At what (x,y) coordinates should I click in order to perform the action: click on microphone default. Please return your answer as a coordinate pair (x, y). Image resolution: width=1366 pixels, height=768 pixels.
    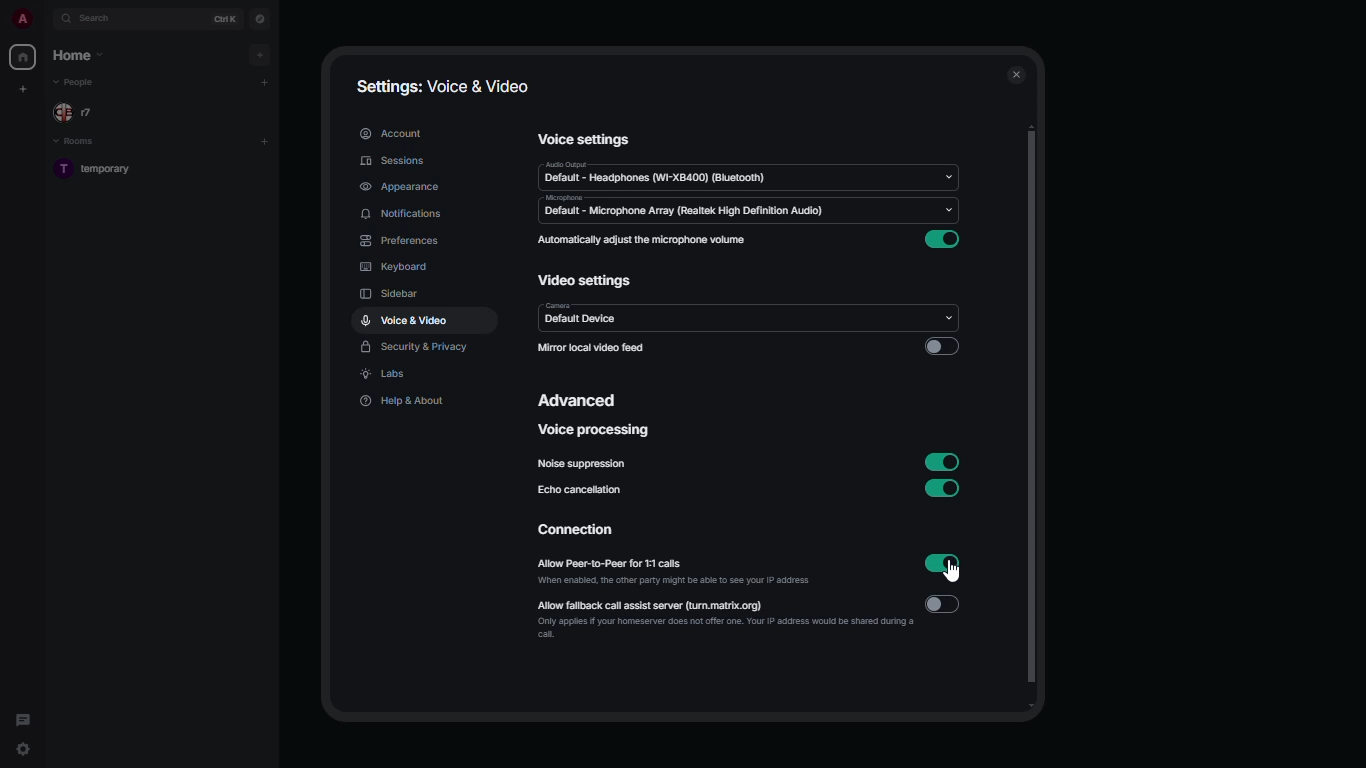
    Looking at the image, I should click on (681, 207).